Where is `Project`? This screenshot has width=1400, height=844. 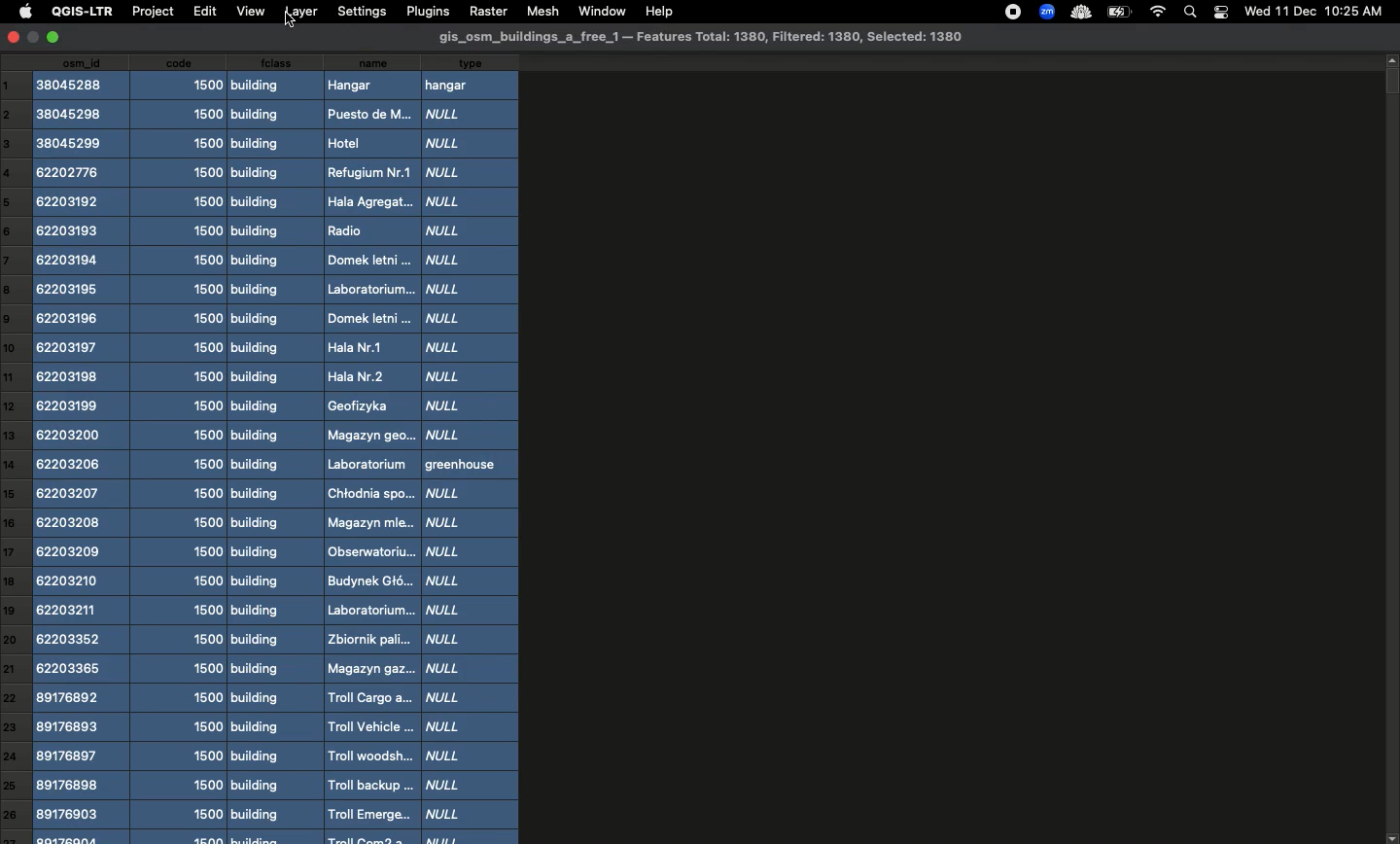 Project is located at coordinates (152, 13).